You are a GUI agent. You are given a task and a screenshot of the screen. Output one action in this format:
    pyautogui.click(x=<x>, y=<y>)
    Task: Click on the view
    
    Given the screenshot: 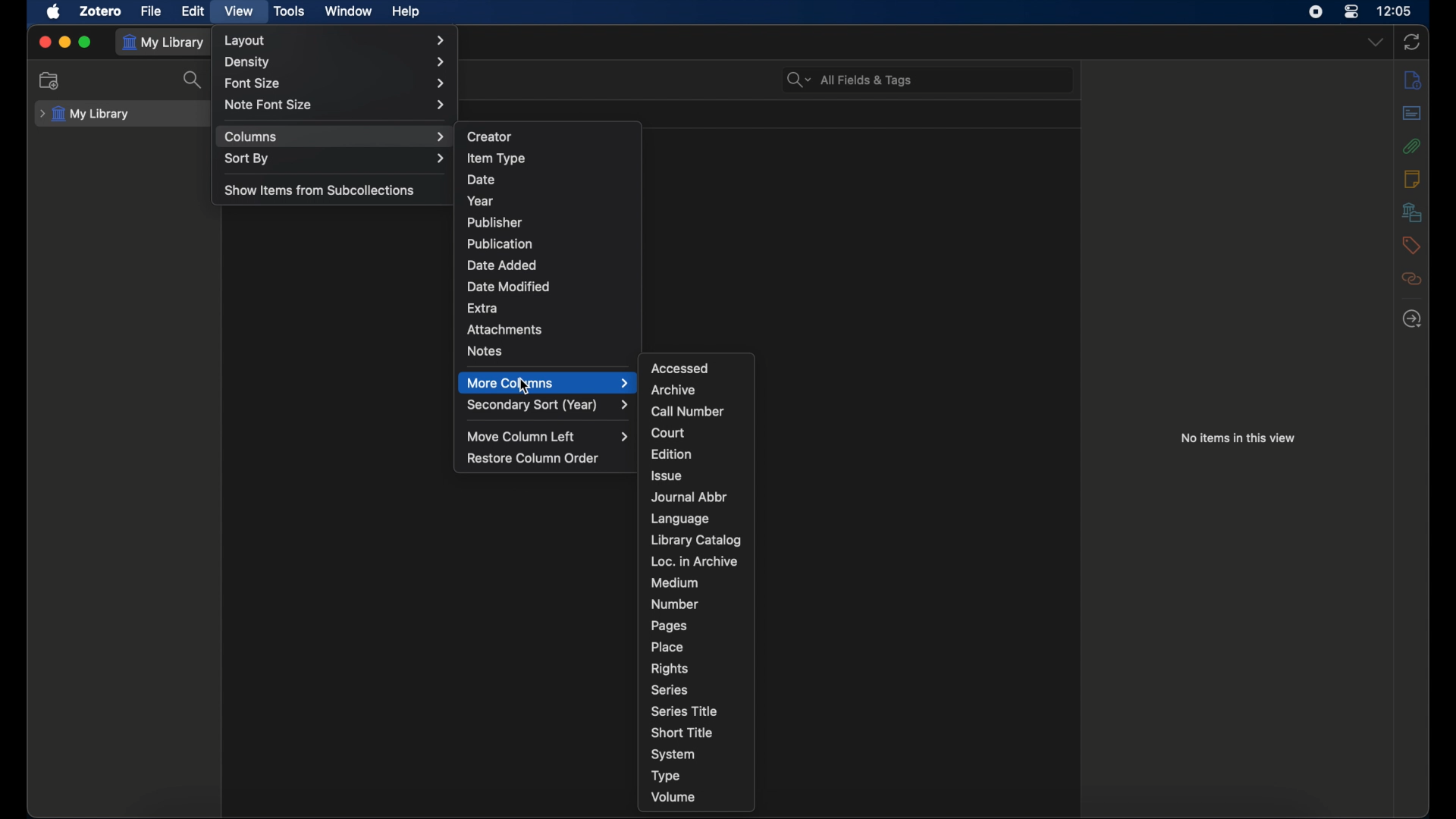 What is the action you would take?
    pyautogui.click(x=240, y=11)
    